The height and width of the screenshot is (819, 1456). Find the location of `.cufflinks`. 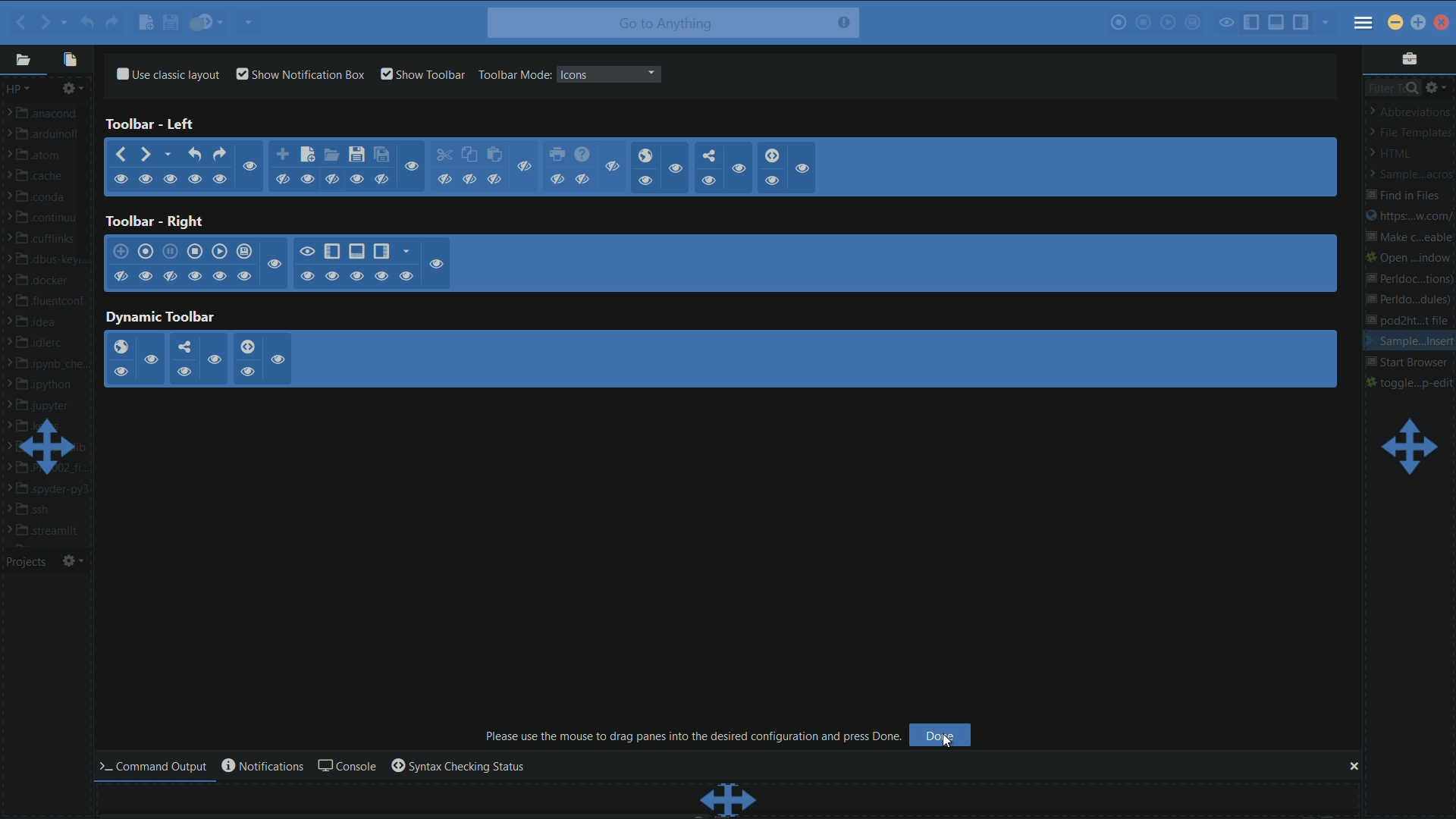

.cufflinks is located at coordinates (50, 240).